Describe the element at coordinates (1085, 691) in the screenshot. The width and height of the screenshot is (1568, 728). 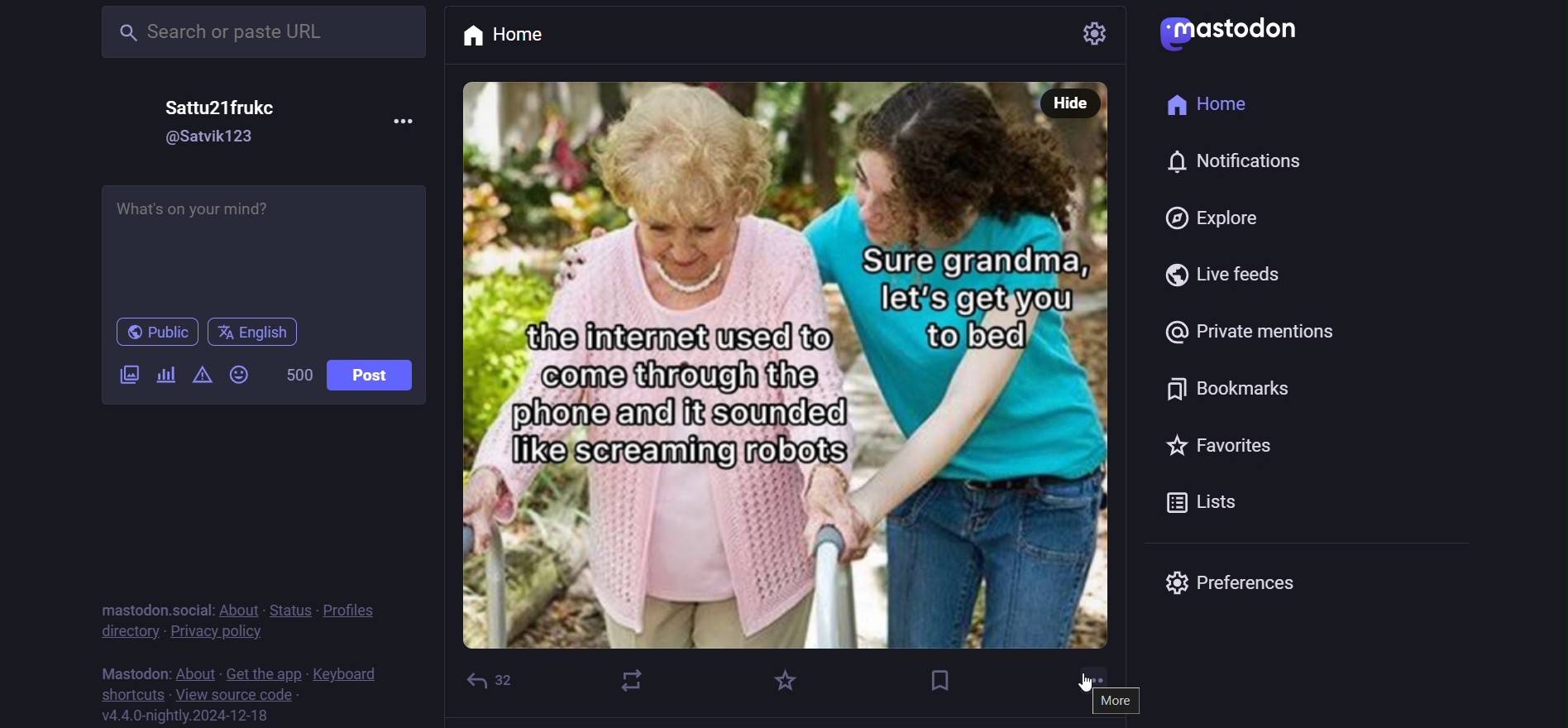
I see `cursor` at that location.